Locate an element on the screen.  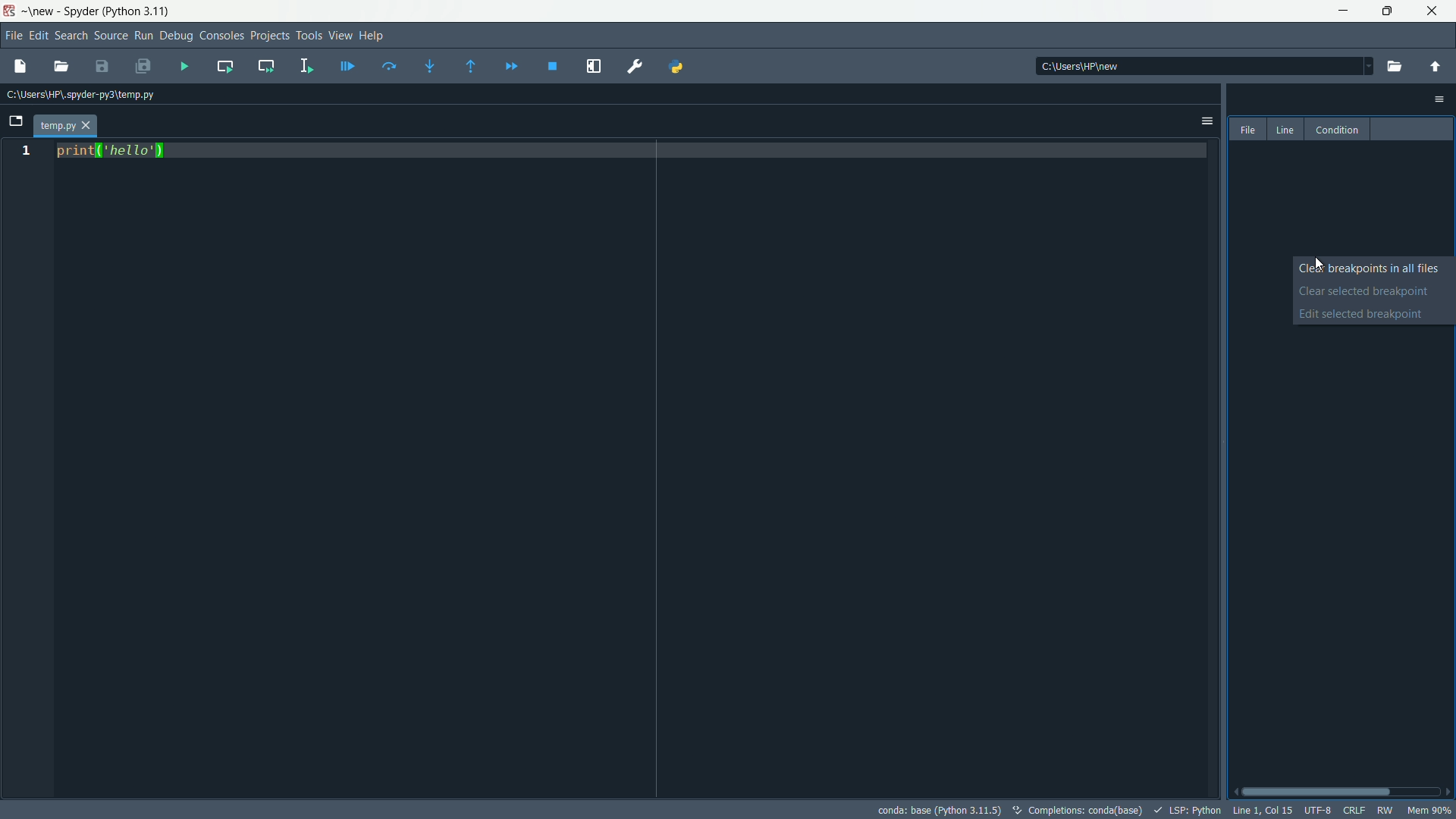
open file is located at coordinates (61, 67).